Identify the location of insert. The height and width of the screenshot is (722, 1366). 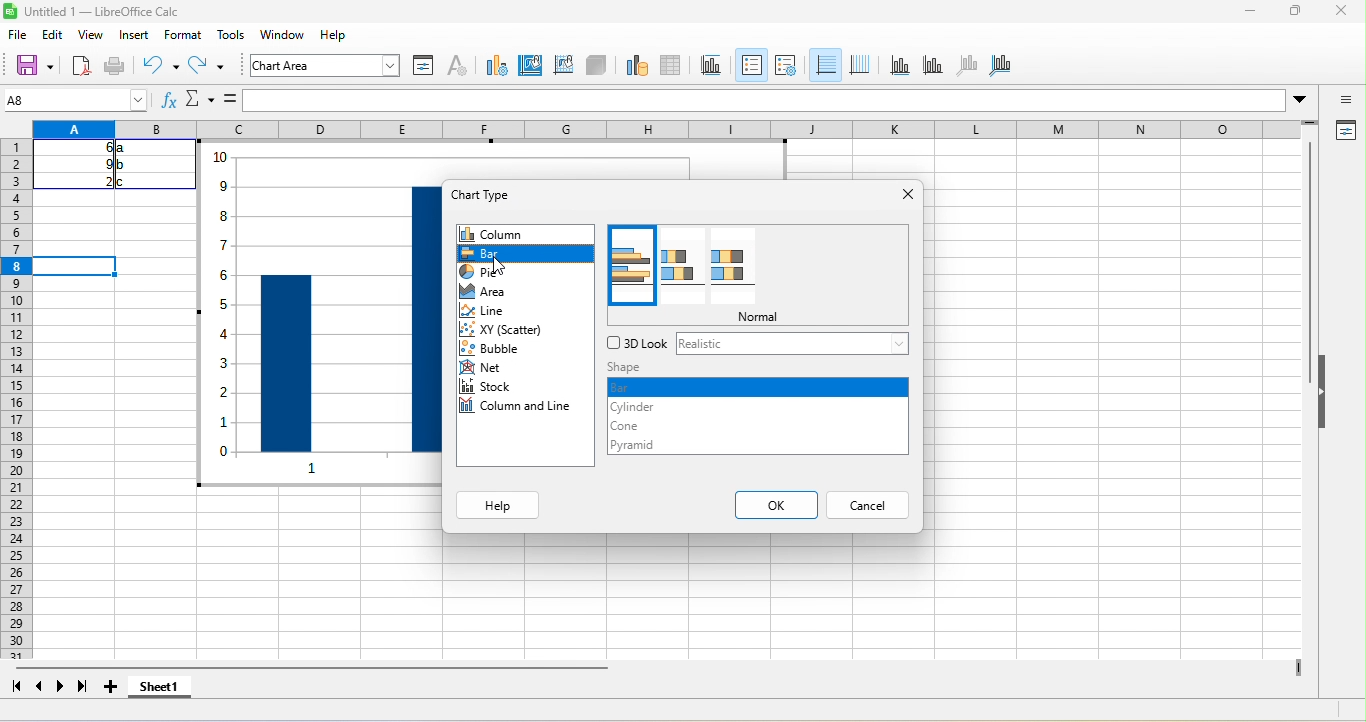
(140, 36).